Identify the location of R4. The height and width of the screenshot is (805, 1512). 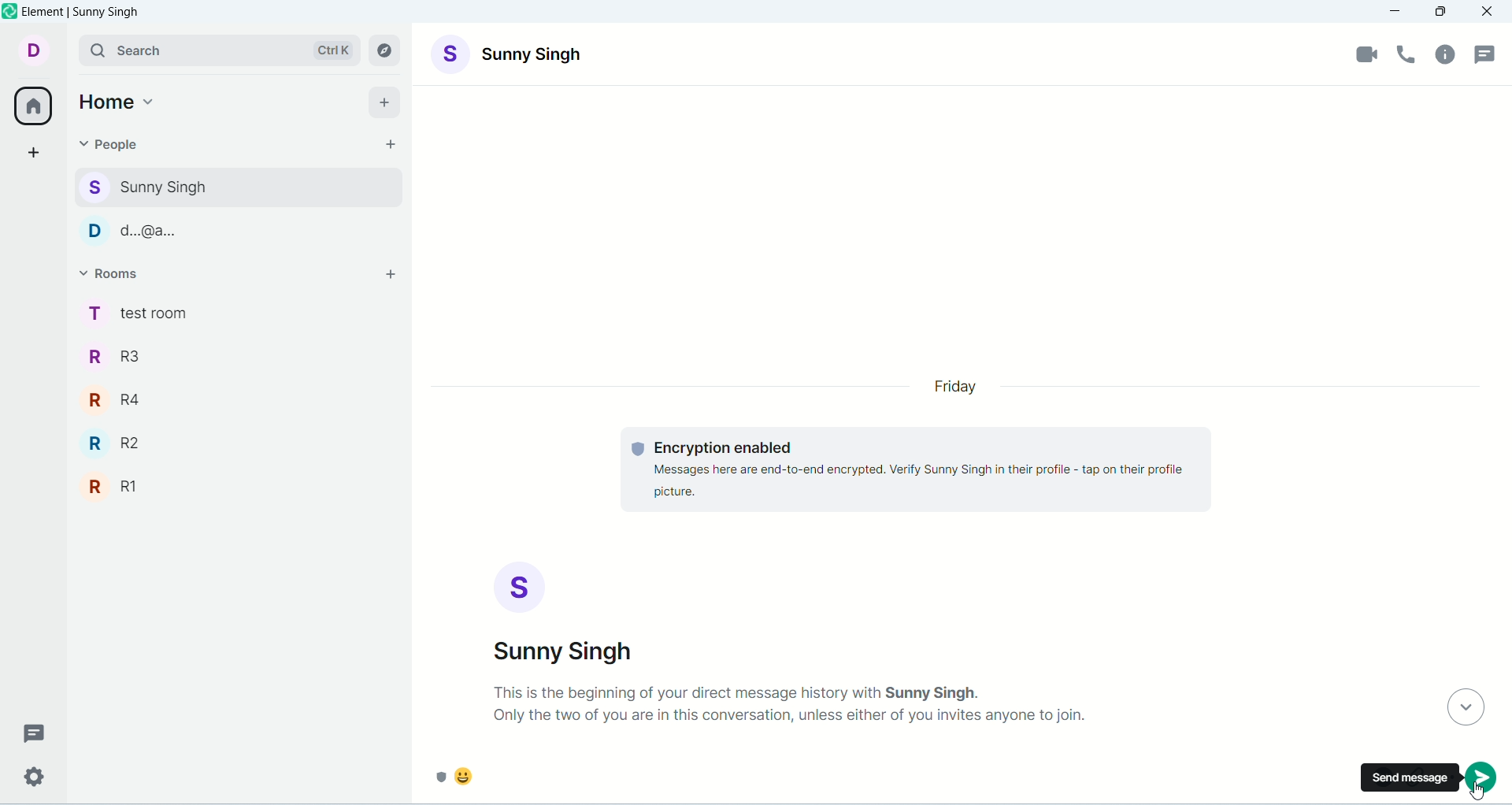
(239, 394).